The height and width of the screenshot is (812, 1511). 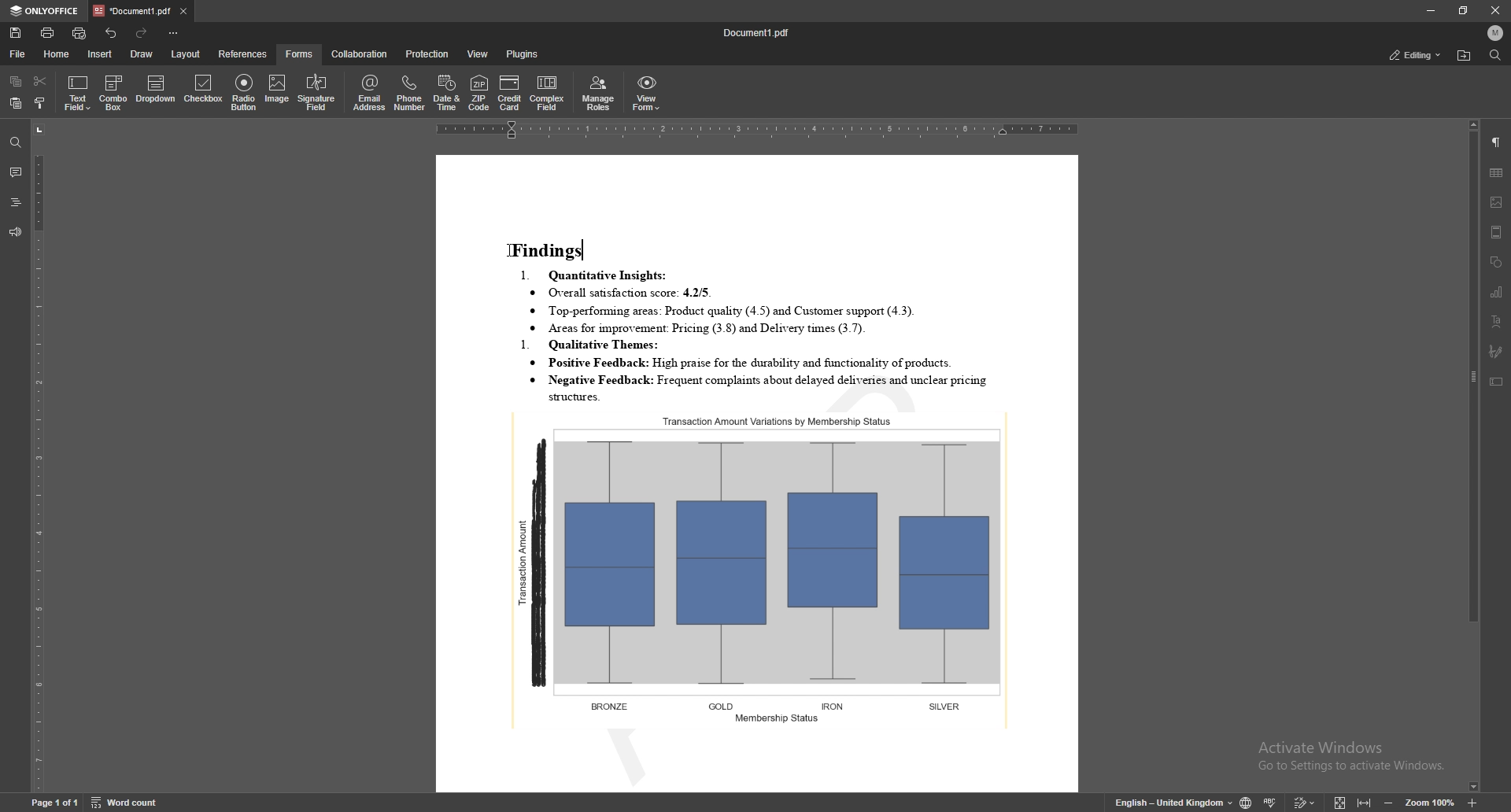 What do you see at coordinates (16, 103) in the screenshot?
I see `paste` at bounding box center [16, 103].